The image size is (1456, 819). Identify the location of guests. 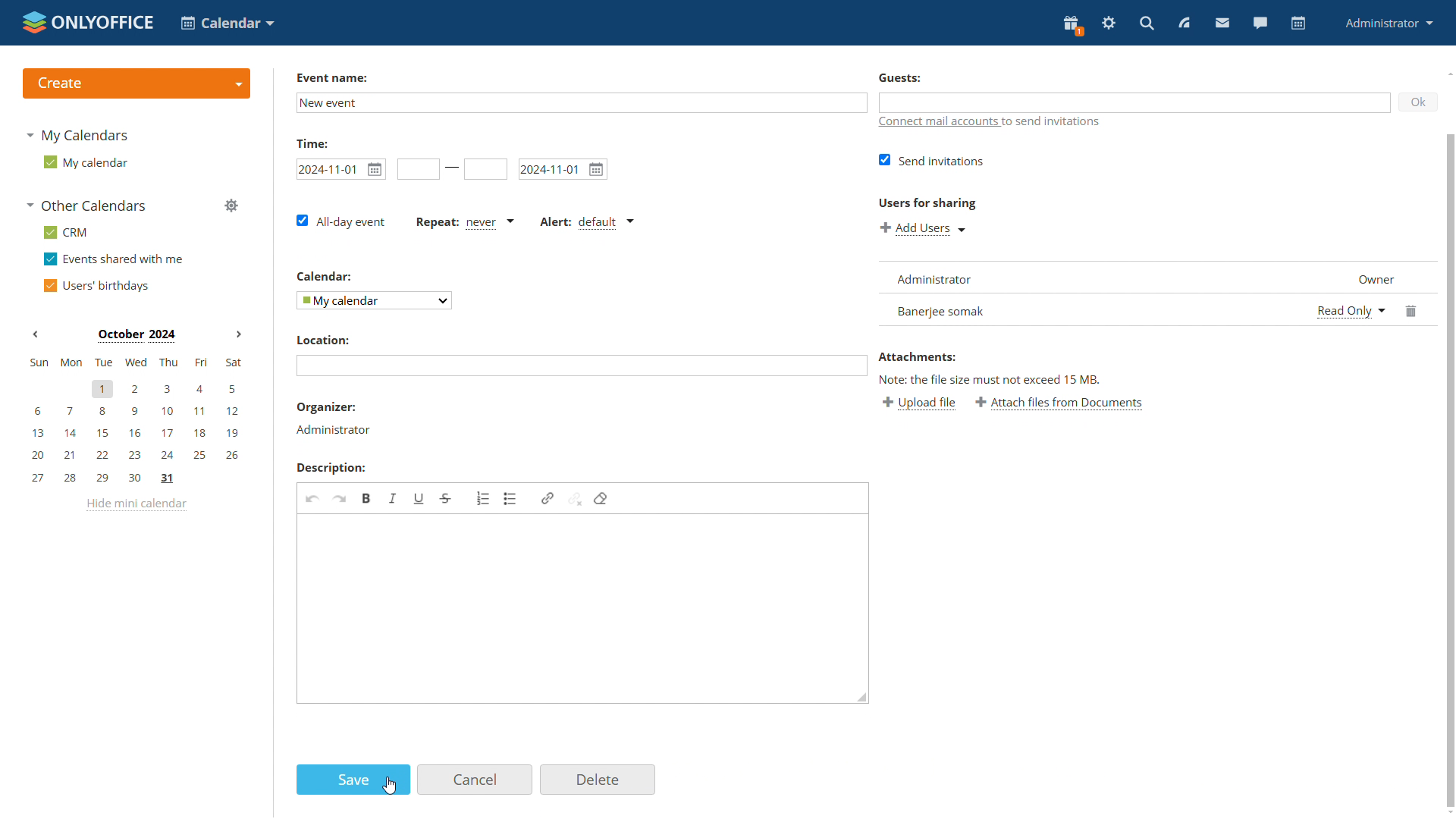
(1130, 102).